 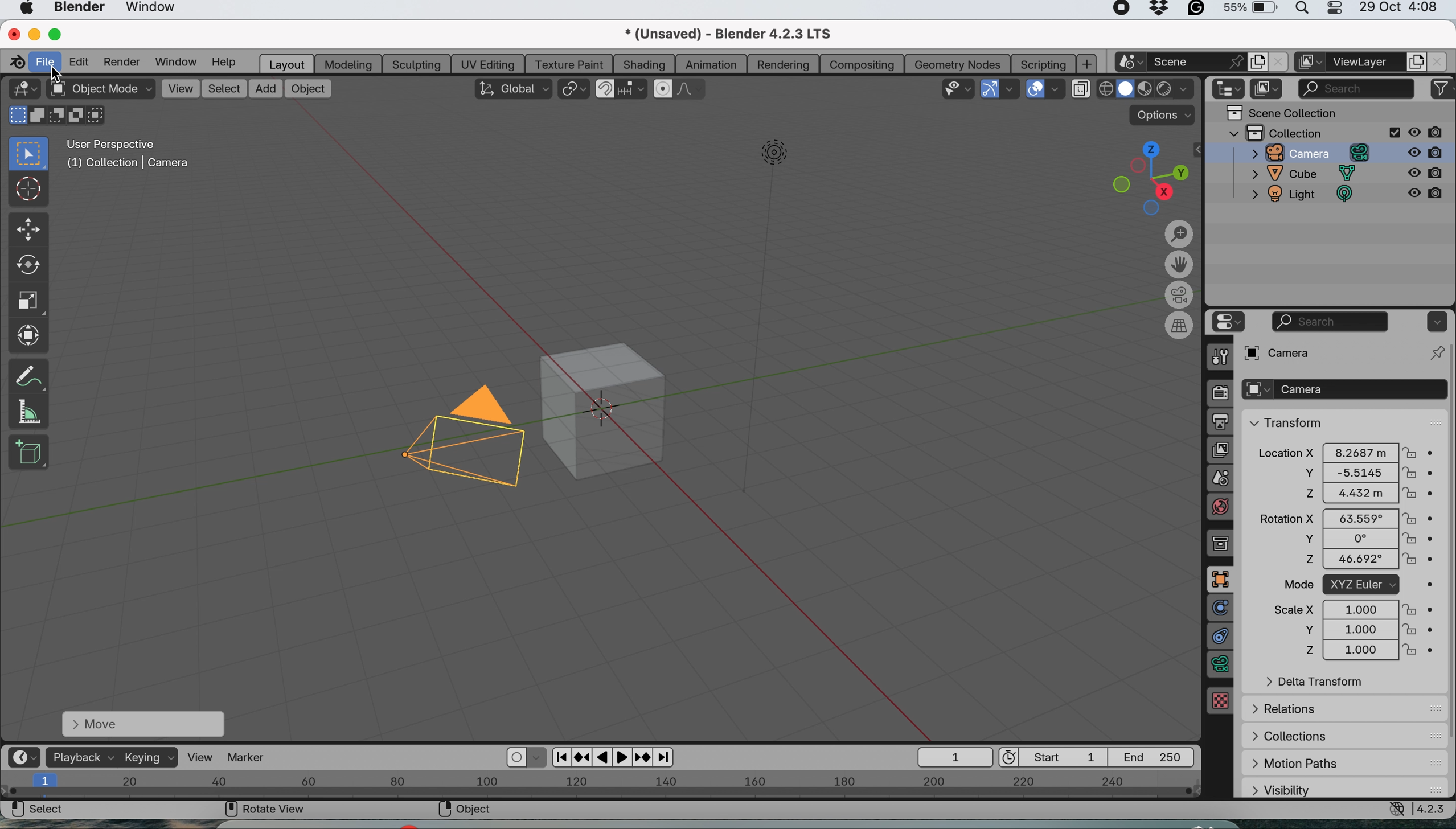 What do you see at coordinates (1154, 757) in the screenshot?
I see `end 250` at bounding box center [1154, 757].